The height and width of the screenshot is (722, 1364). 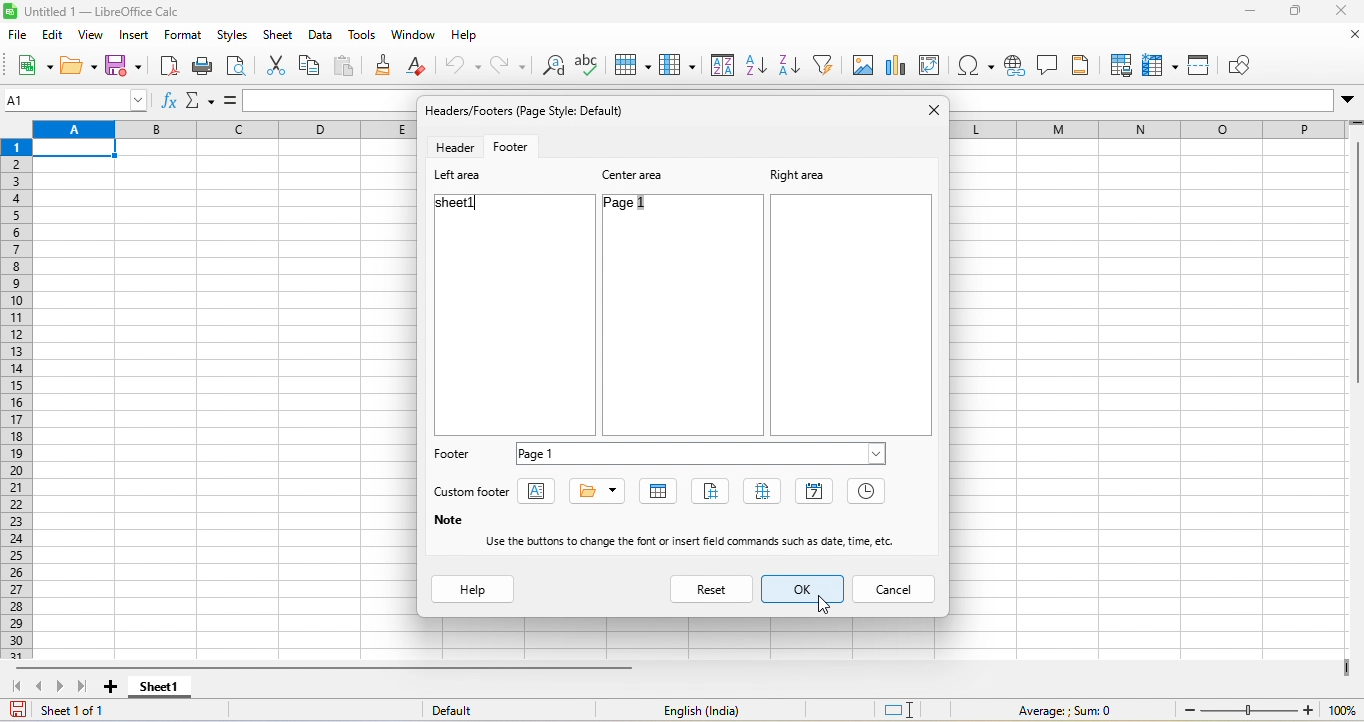 What do you see at coordinates (474, 590) in the screenshot?
I see `help` at bounding box center [474, 590].